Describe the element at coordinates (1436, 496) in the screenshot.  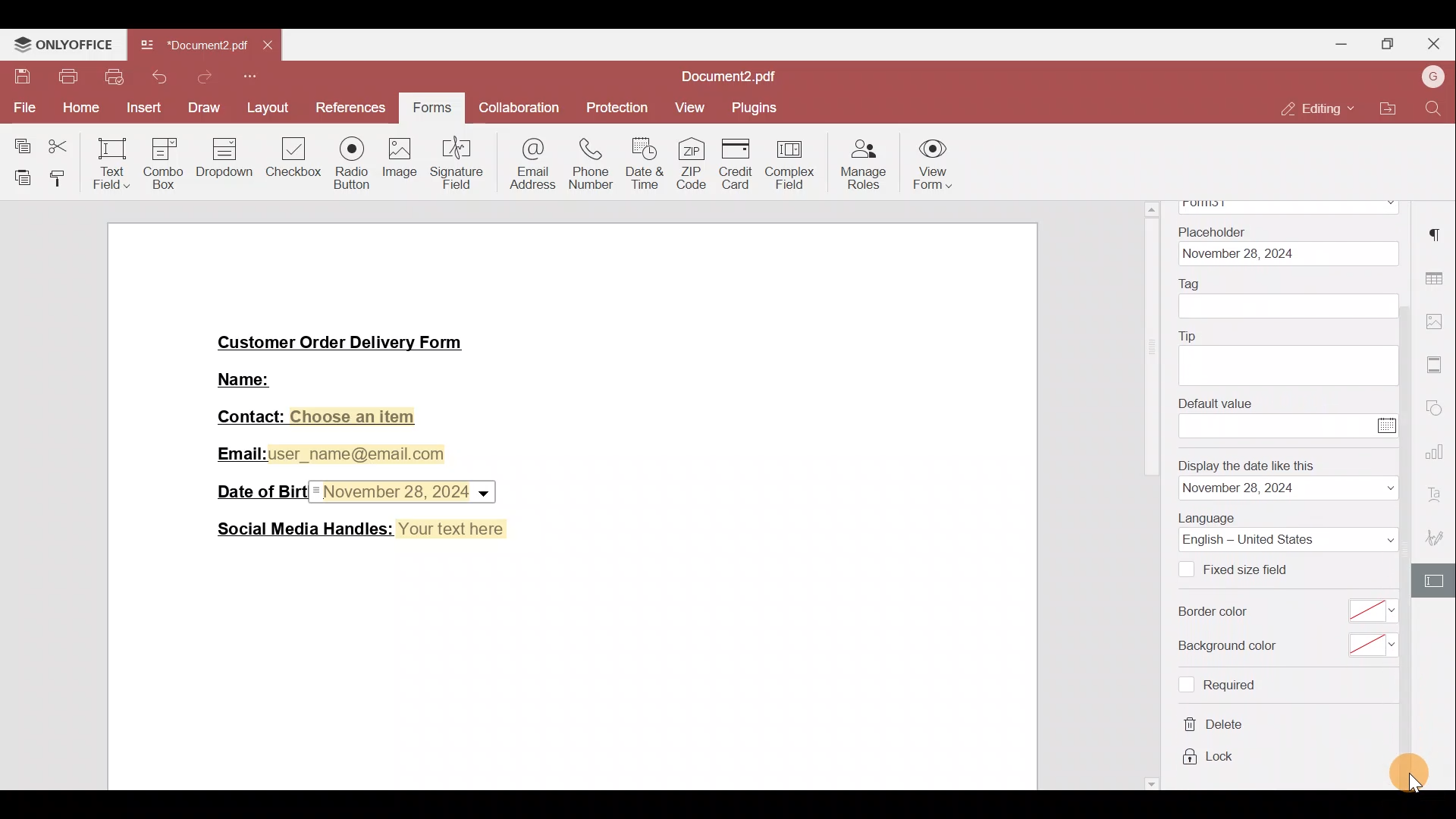
I see `Font settings` at that location.